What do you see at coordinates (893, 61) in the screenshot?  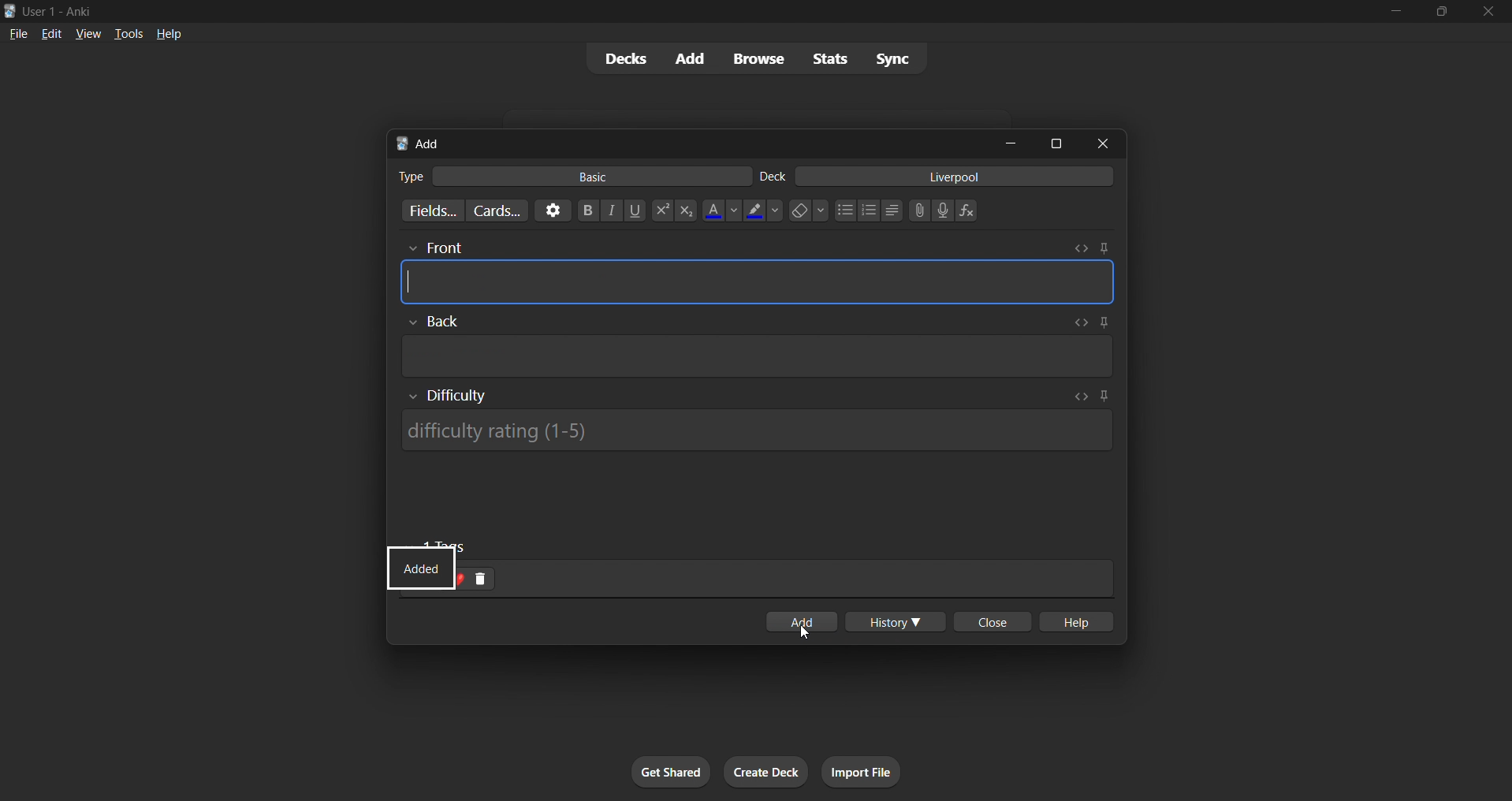 I see `sync` at bounding box center [893, 61].